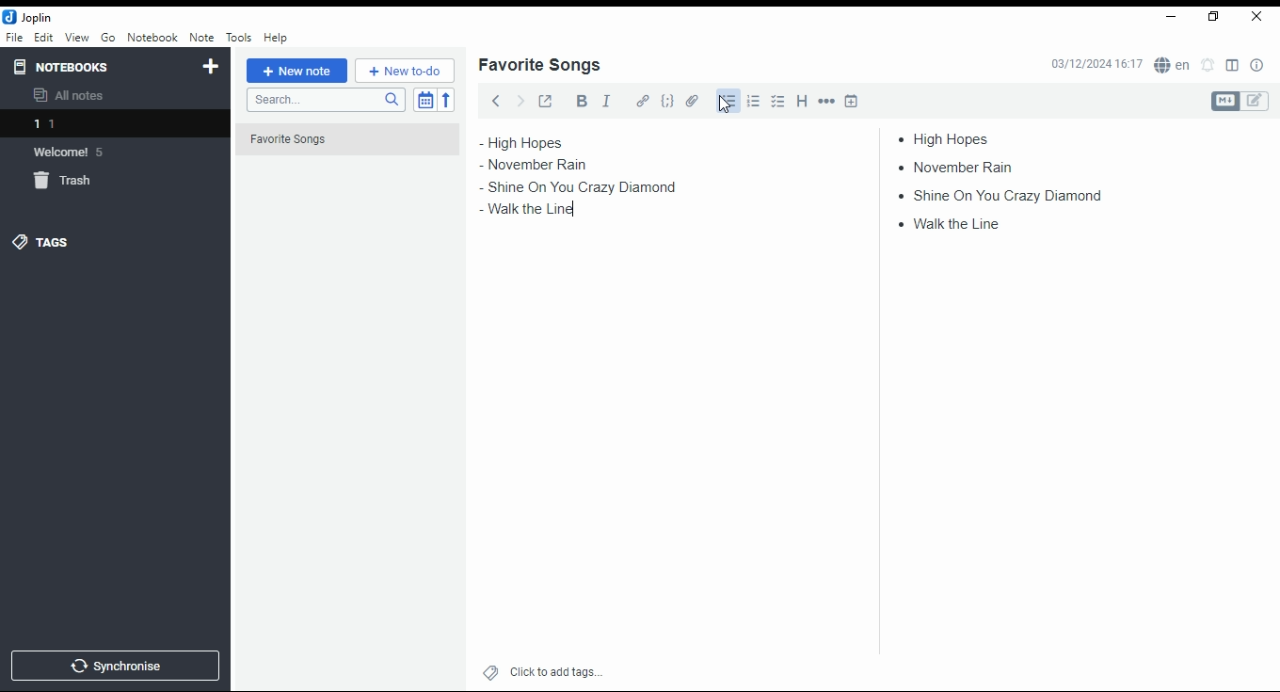 The height and width of the screenshot is (692, 1280). Describe the element at coordinates (581, 101) in the screenshot. I see `bold` at that location.